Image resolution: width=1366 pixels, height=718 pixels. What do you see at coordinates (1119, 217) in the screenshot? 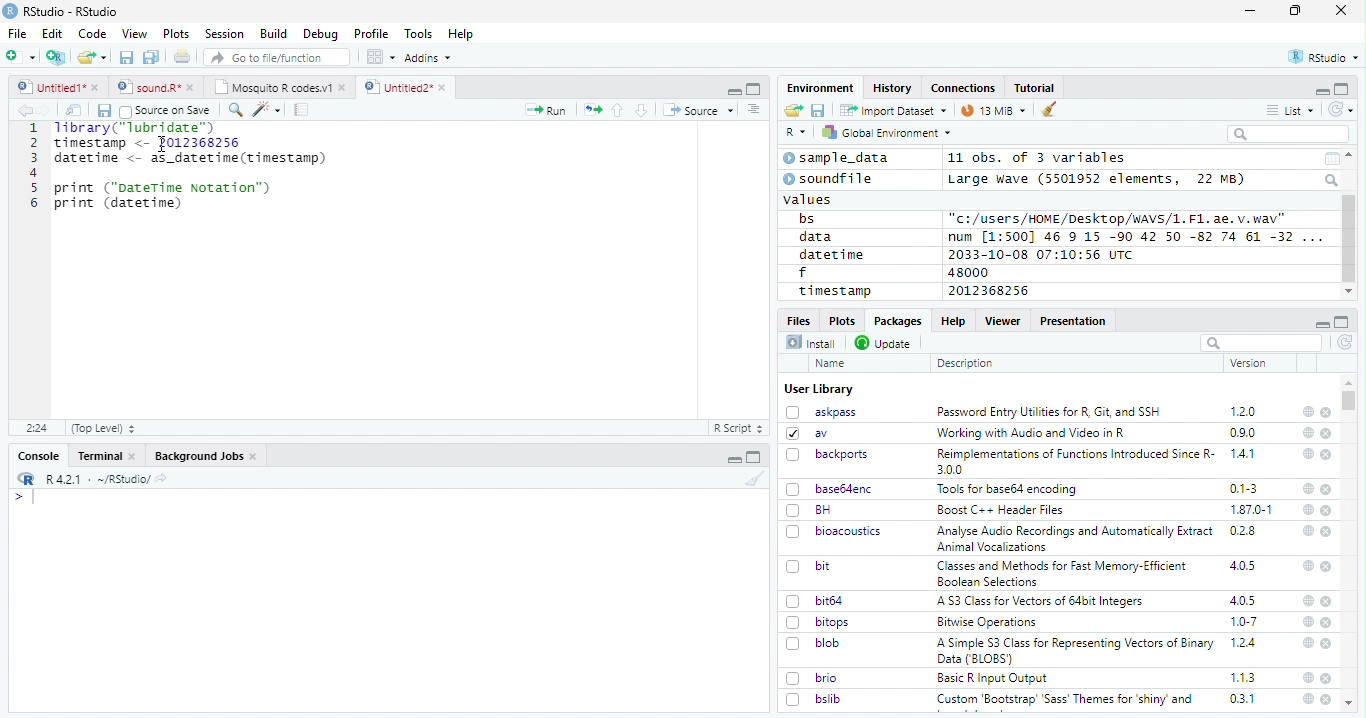
I see `"c:/users/HOME /Desktop/wWAVS/1.F1, ae. v.wav"` at bounding box center [1119, 217].